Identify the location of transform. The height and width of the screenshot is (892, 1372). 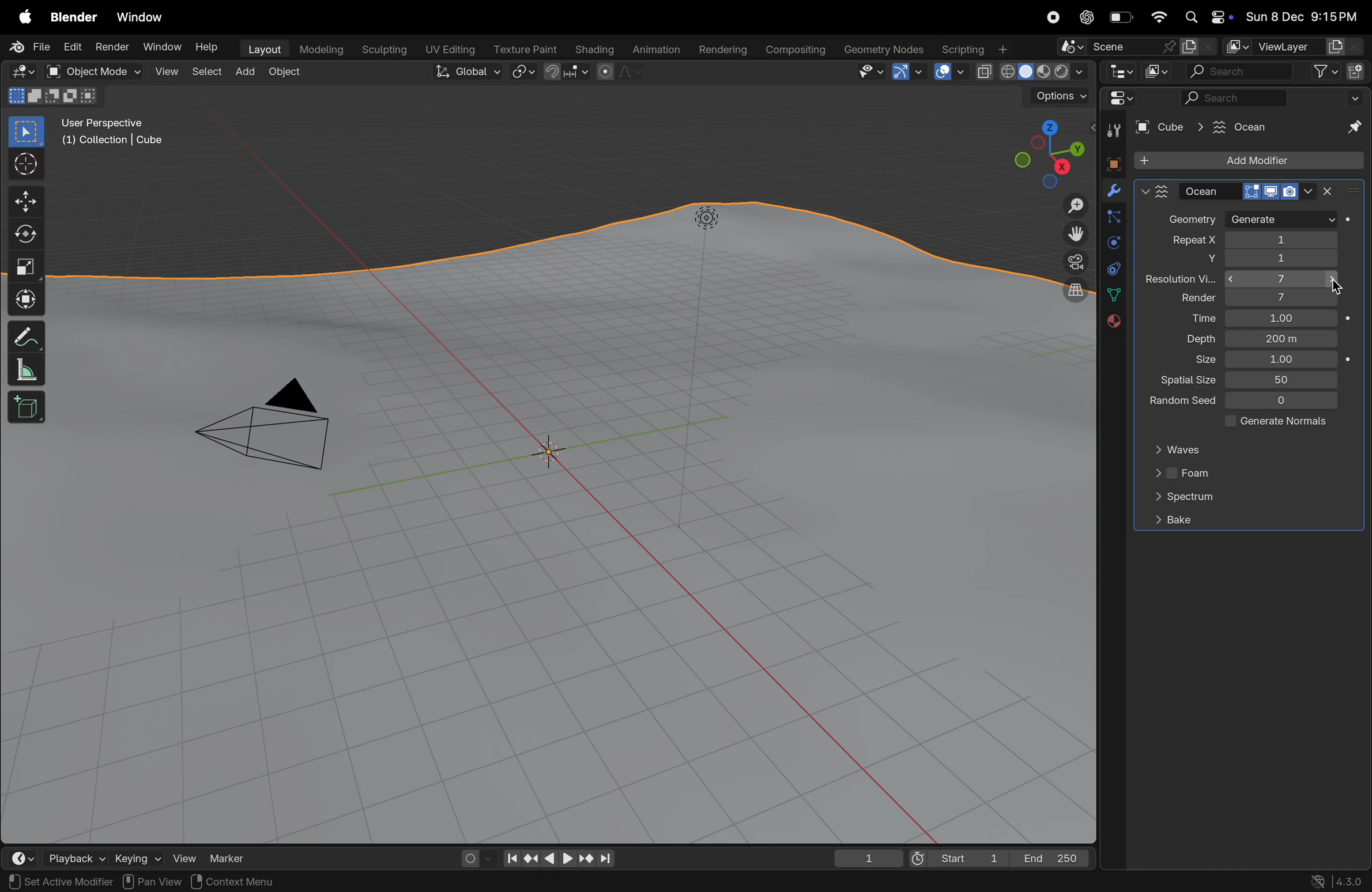
(26, 298).